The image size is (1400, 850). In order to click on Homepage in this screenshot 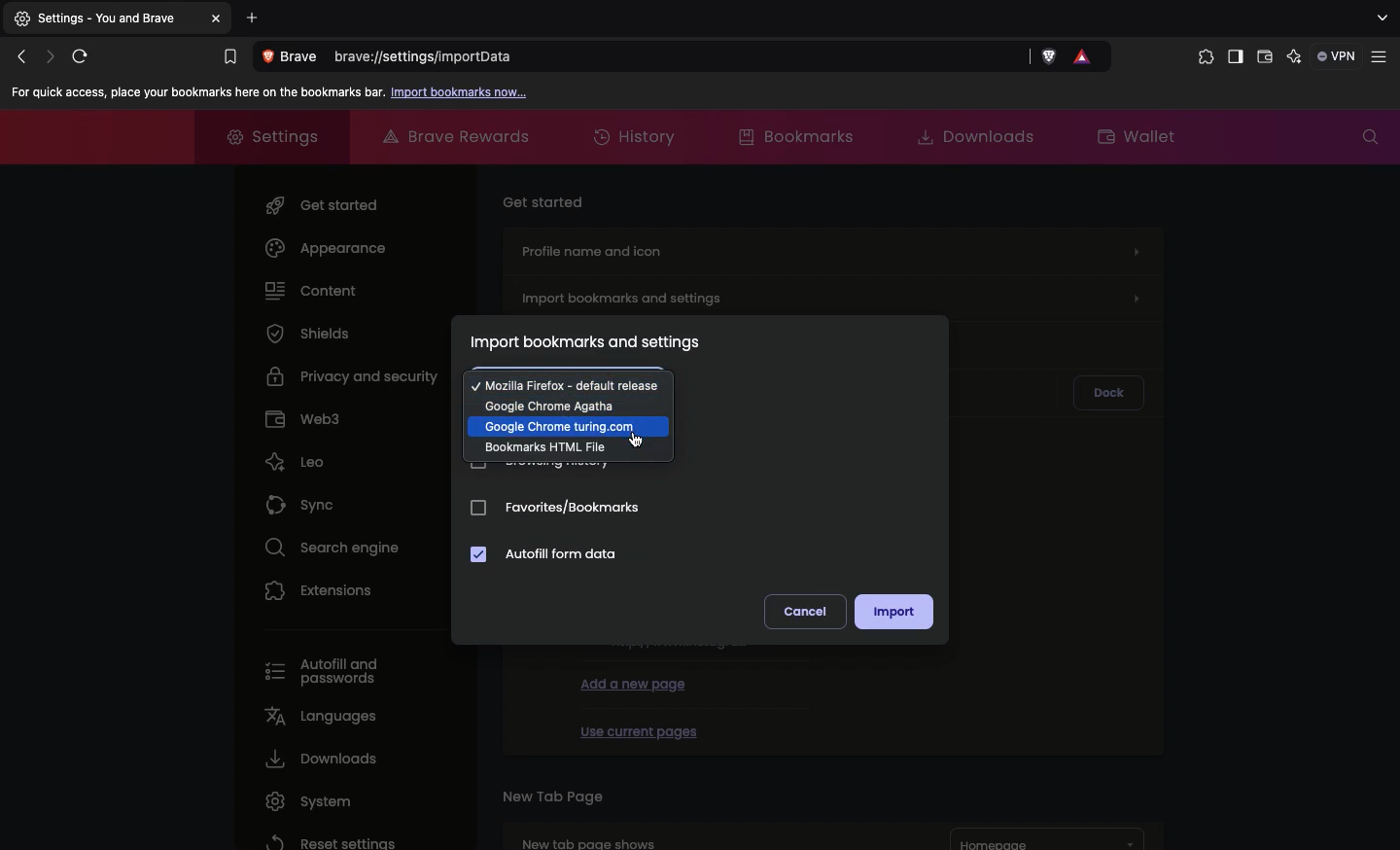, I will do `click(1048, 839)`.